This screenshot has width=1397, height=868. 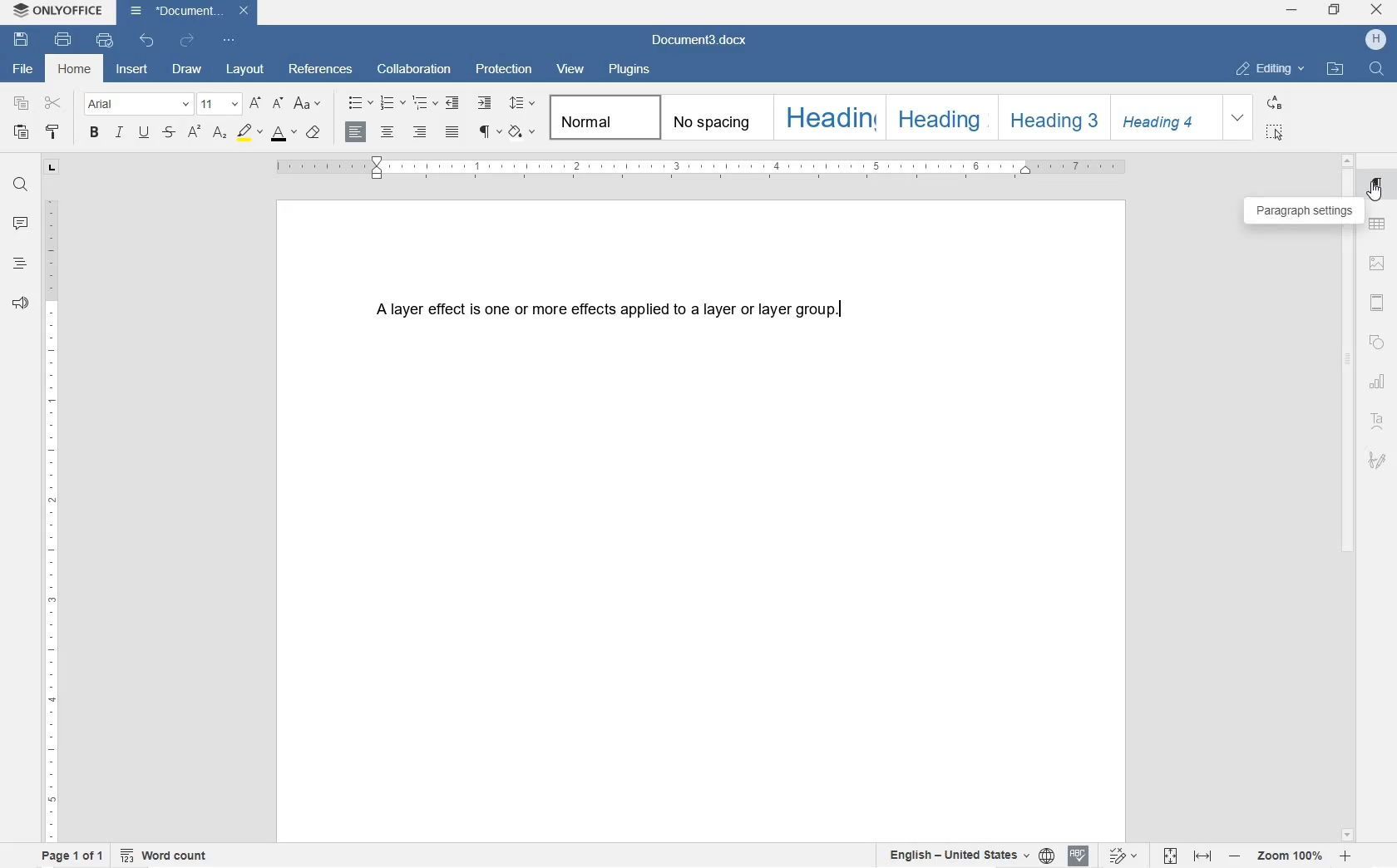 I want to click on DECREMENT FONT SIZE, so click(x=276, y=105).